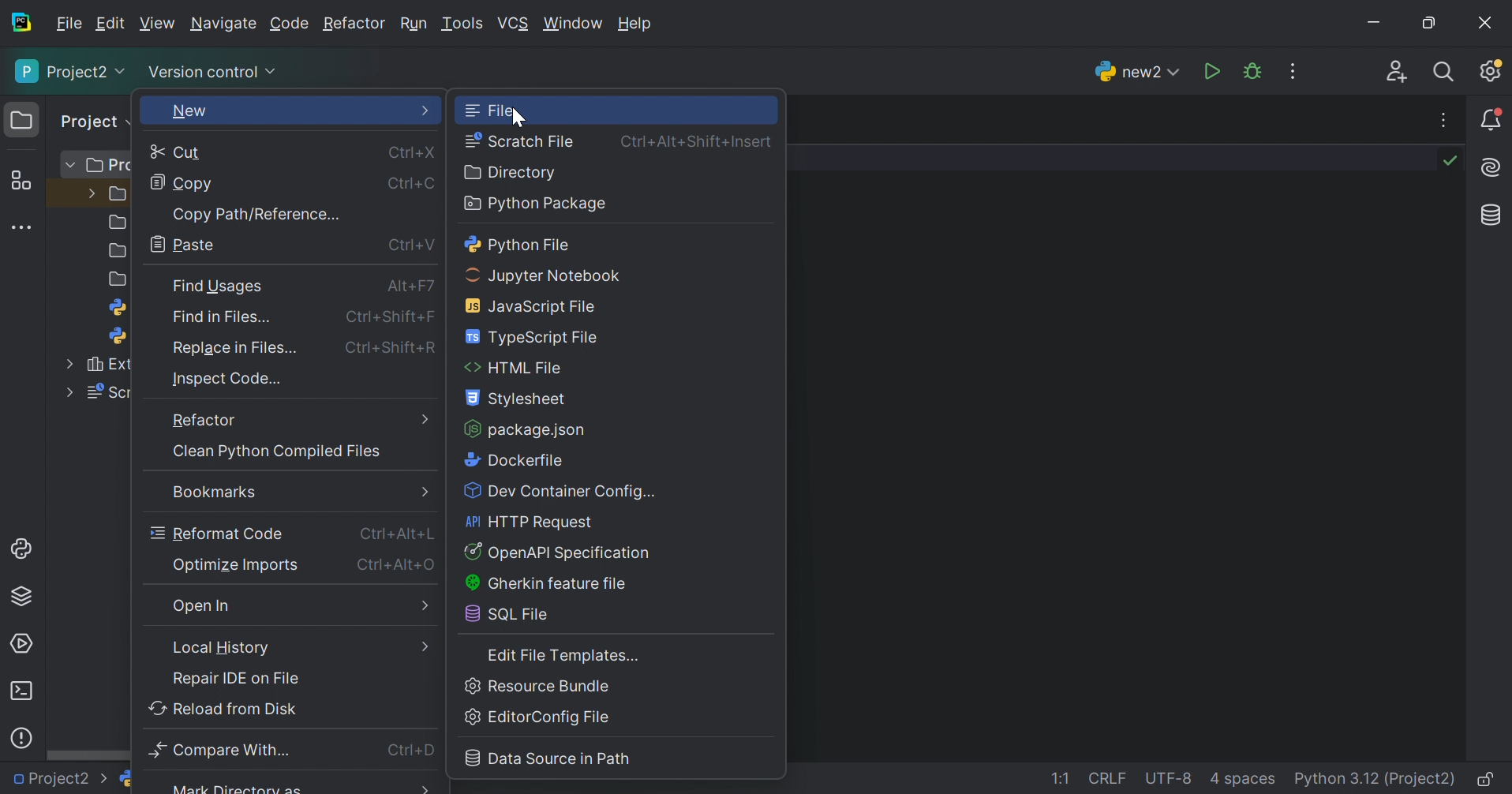  Describe the element at coordinates (21, 227) in the screenshot. I see `More tool windows` at that location.